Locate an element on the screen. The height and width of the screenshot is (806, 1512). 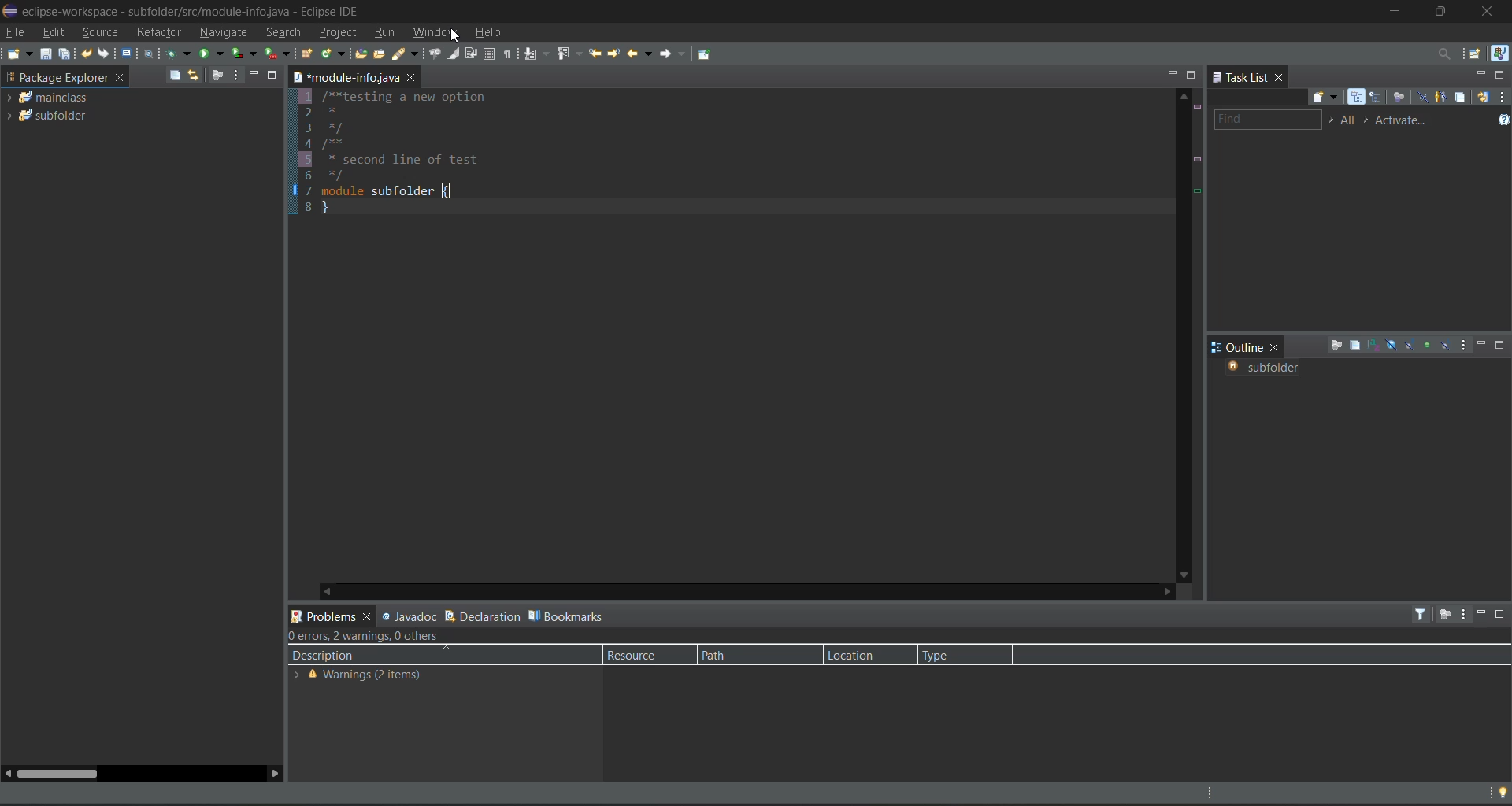
window is located at coordinates (435, 31).